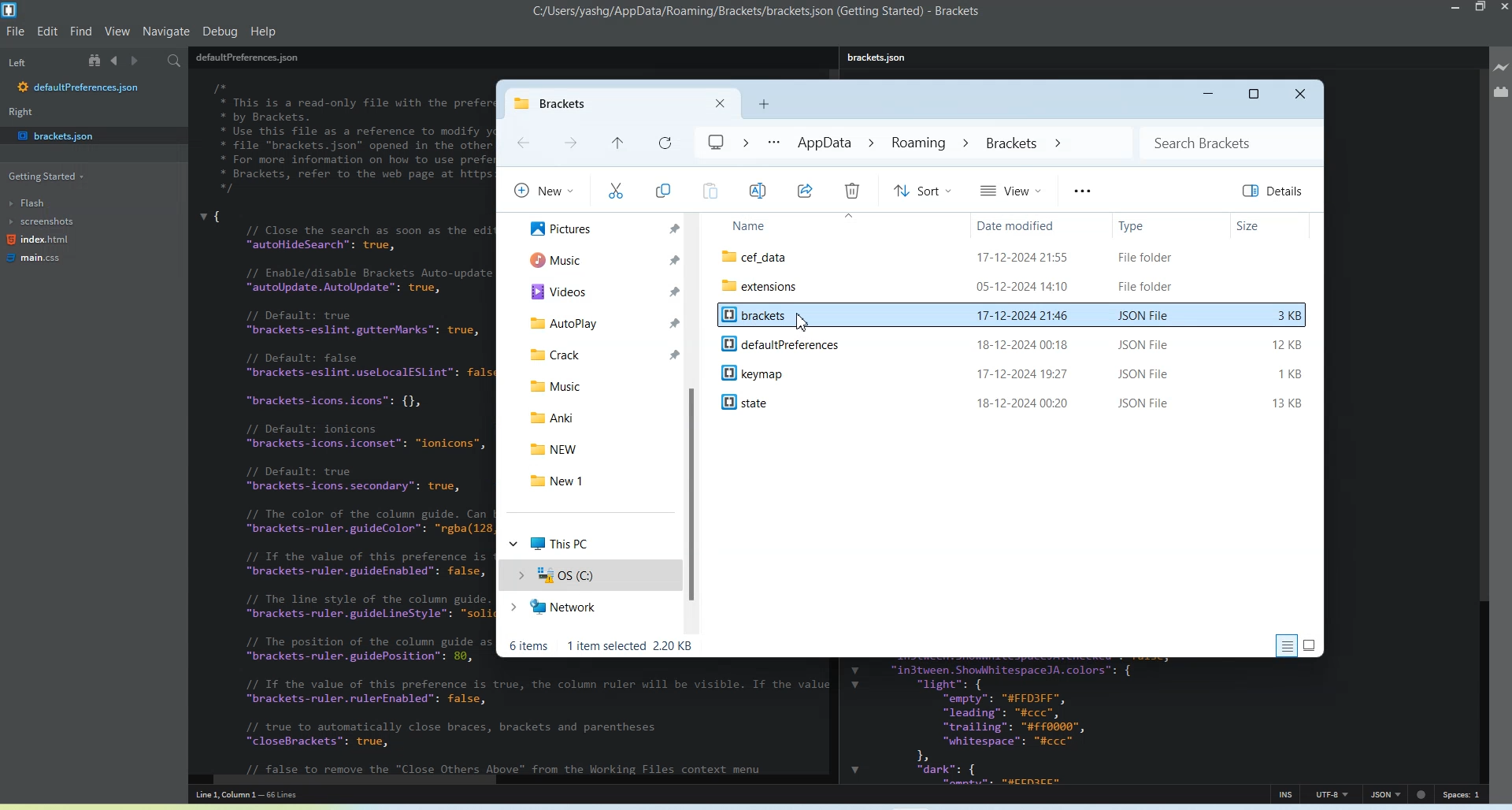  I want to click on Rename, so click(758, 191).